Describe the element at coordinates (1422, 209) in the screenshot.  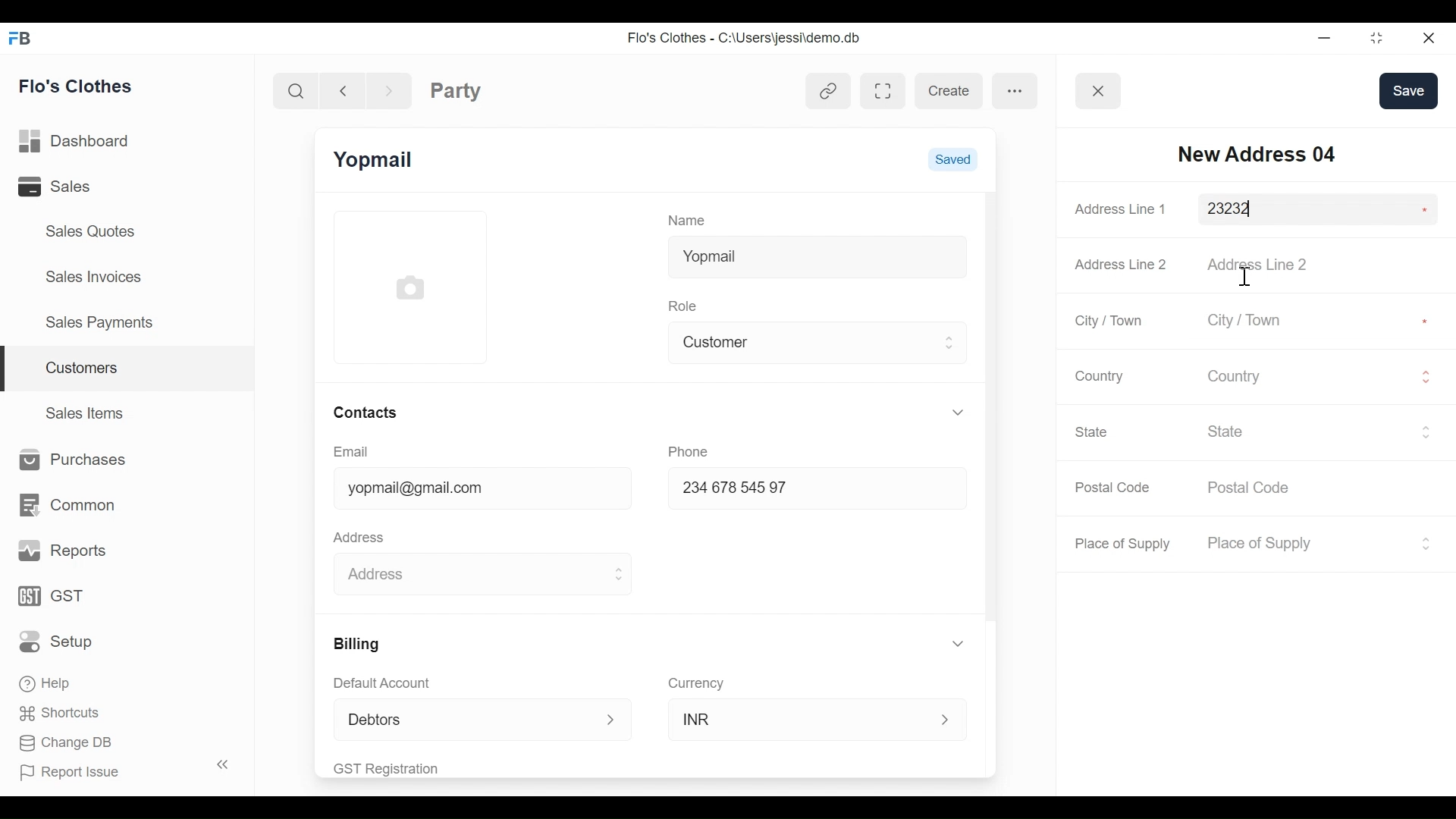
I see `Asterisk` at that location.